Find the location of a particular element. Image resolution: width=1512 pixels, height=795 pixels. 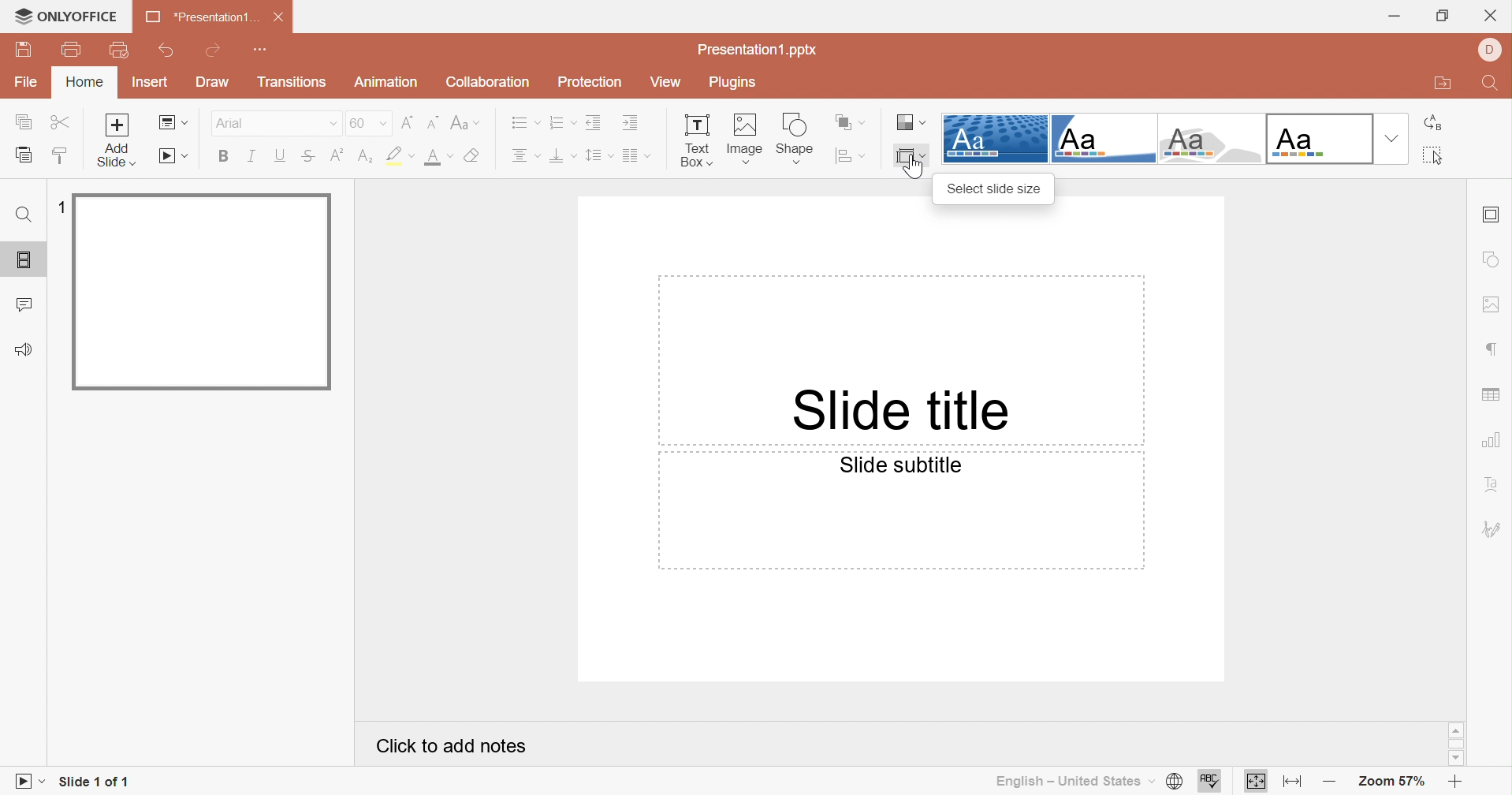

Dotted is located at coordinates (994, 137).